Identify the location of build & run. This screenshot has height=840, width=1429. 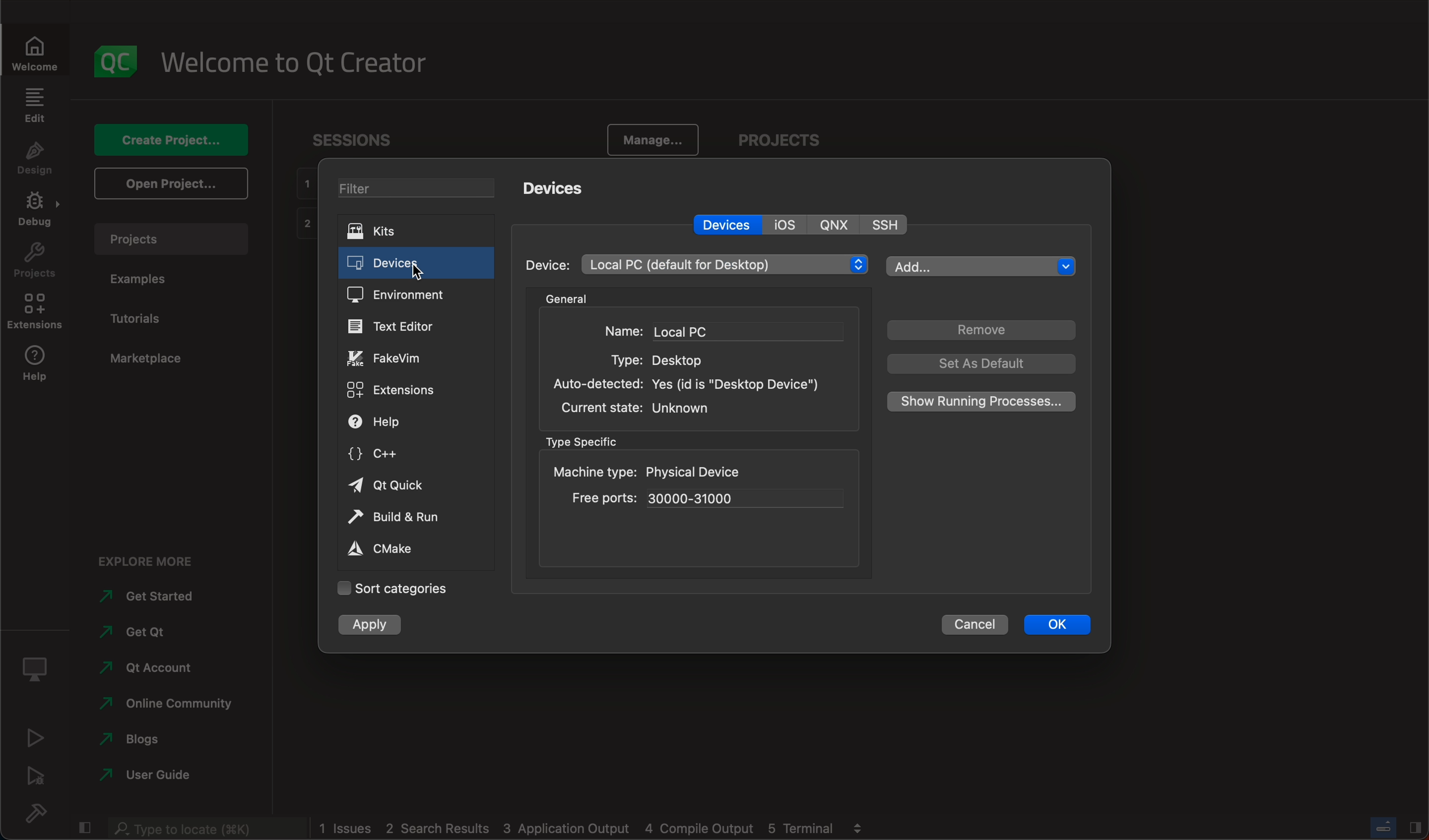
(395, 517).